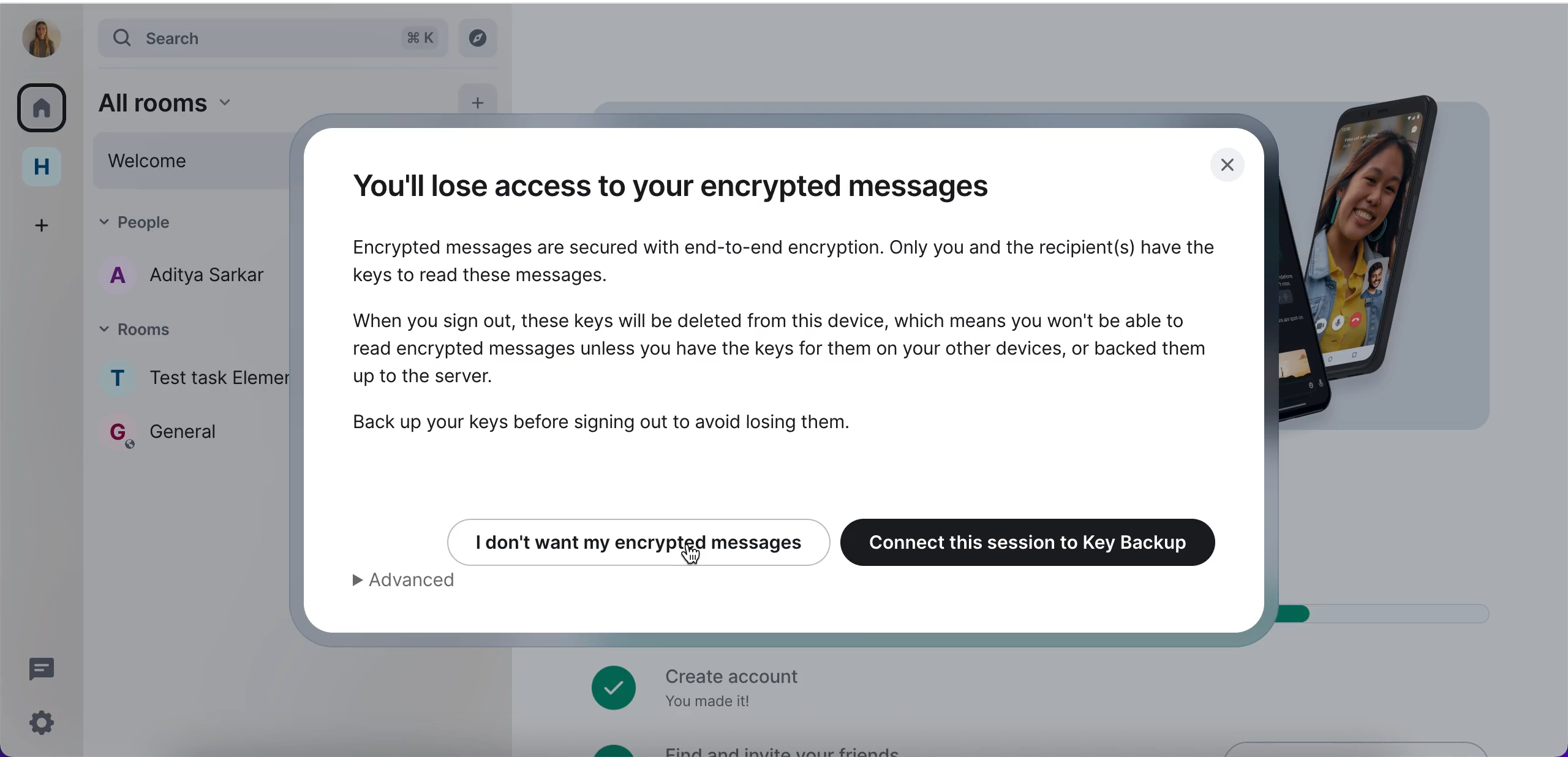 This screenshot has width=1568, height=757. I want to click on complete account you made it, so click(697, 685).